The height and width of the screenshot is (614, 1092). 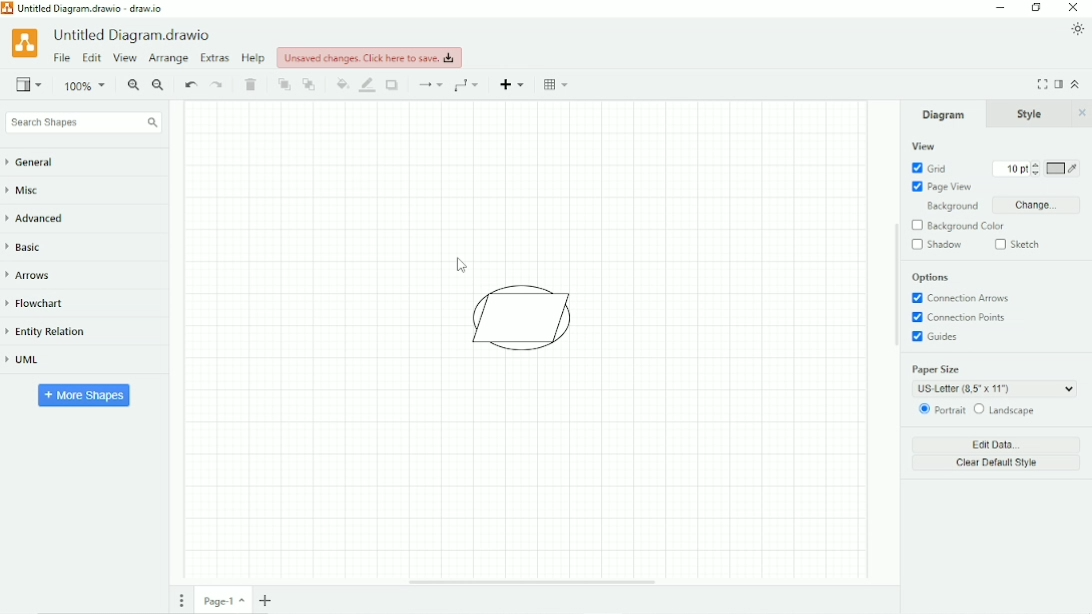 I want to click on More shapes, so click(x=85, y=394).